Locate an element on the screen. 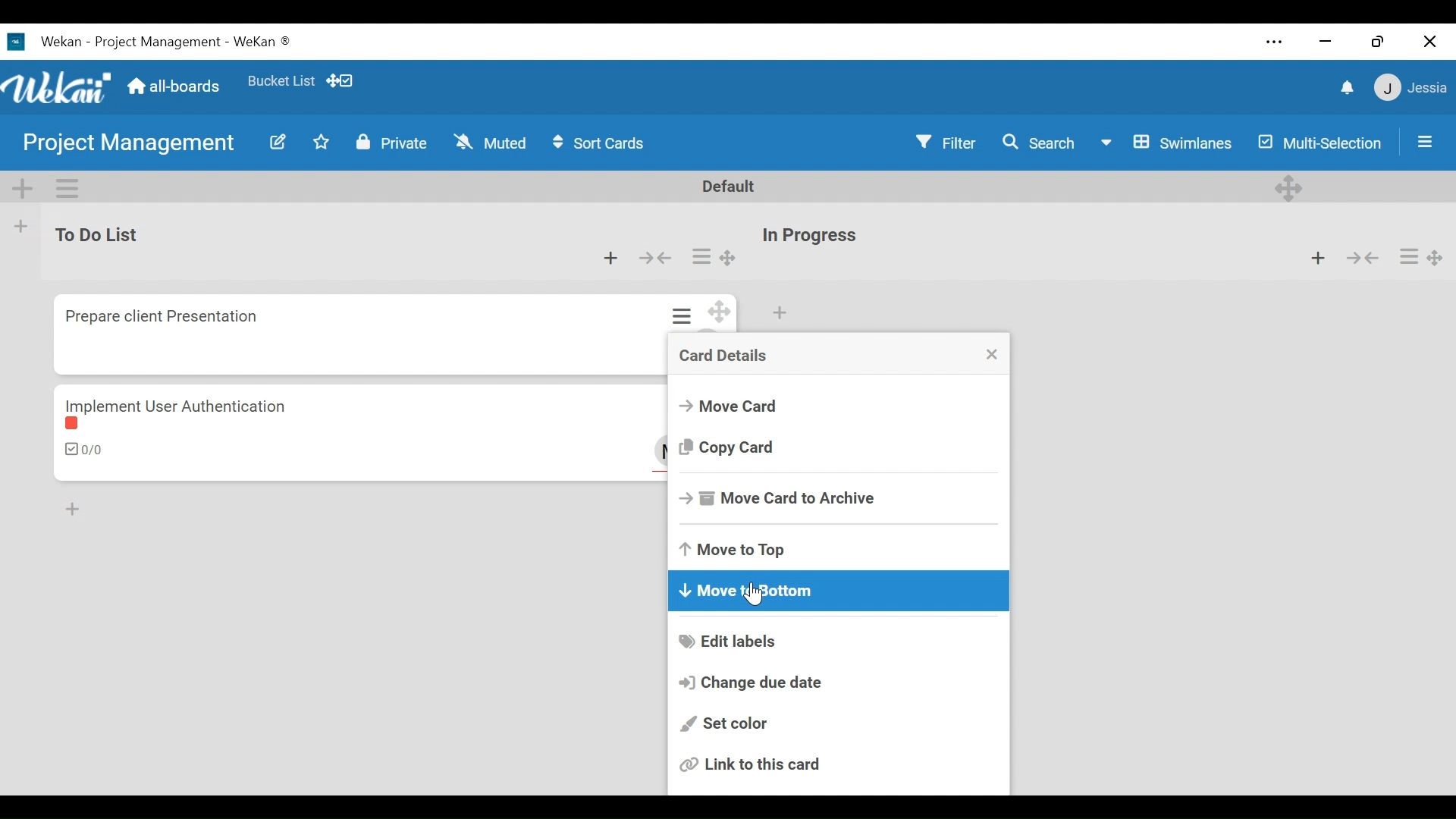 This screenshot has width=1456, height=819. restore is located at coordinates (1376, 42).